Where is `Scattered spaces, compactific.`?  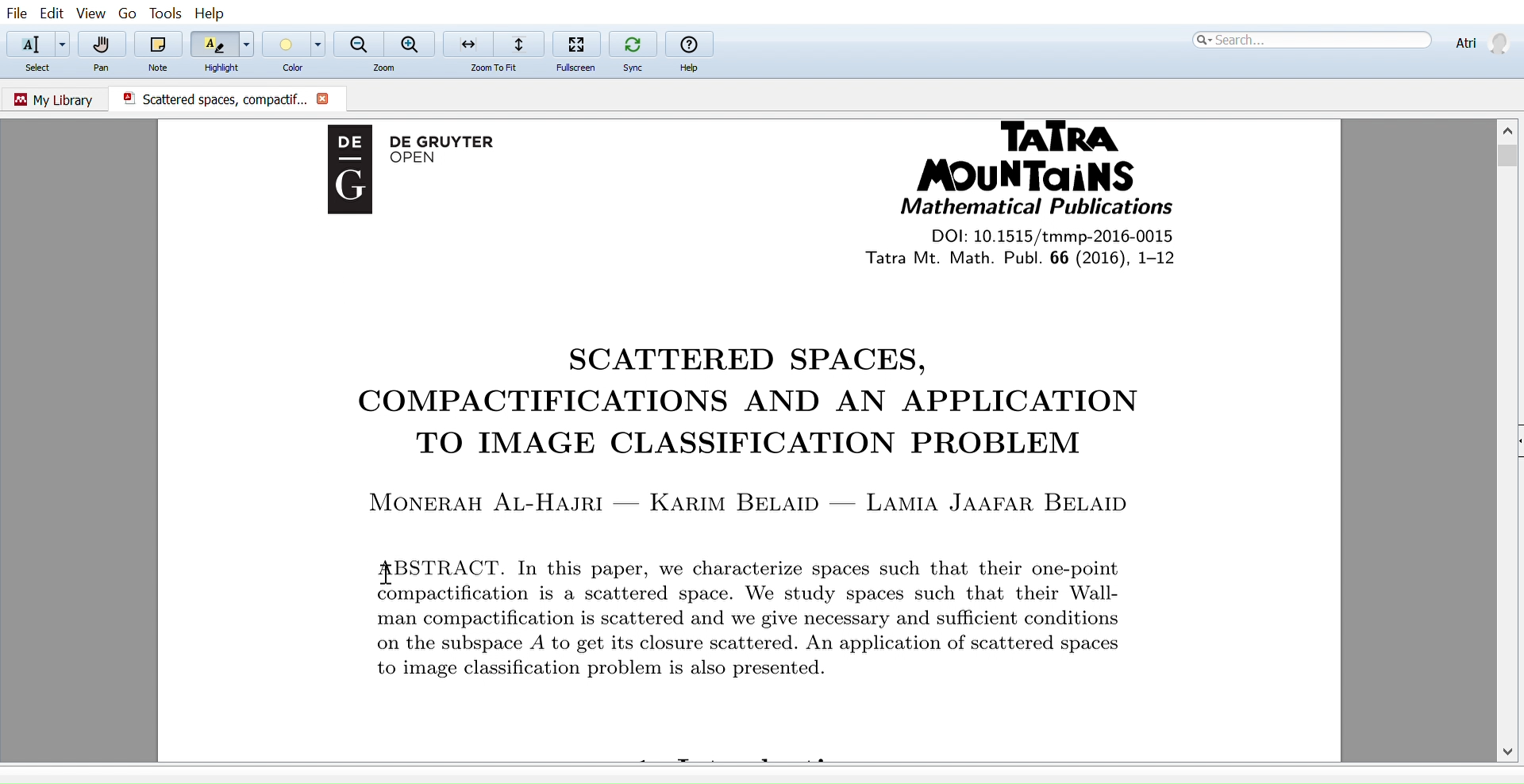
Scattered spaces, compactific. is located at coordinates (208, 98).